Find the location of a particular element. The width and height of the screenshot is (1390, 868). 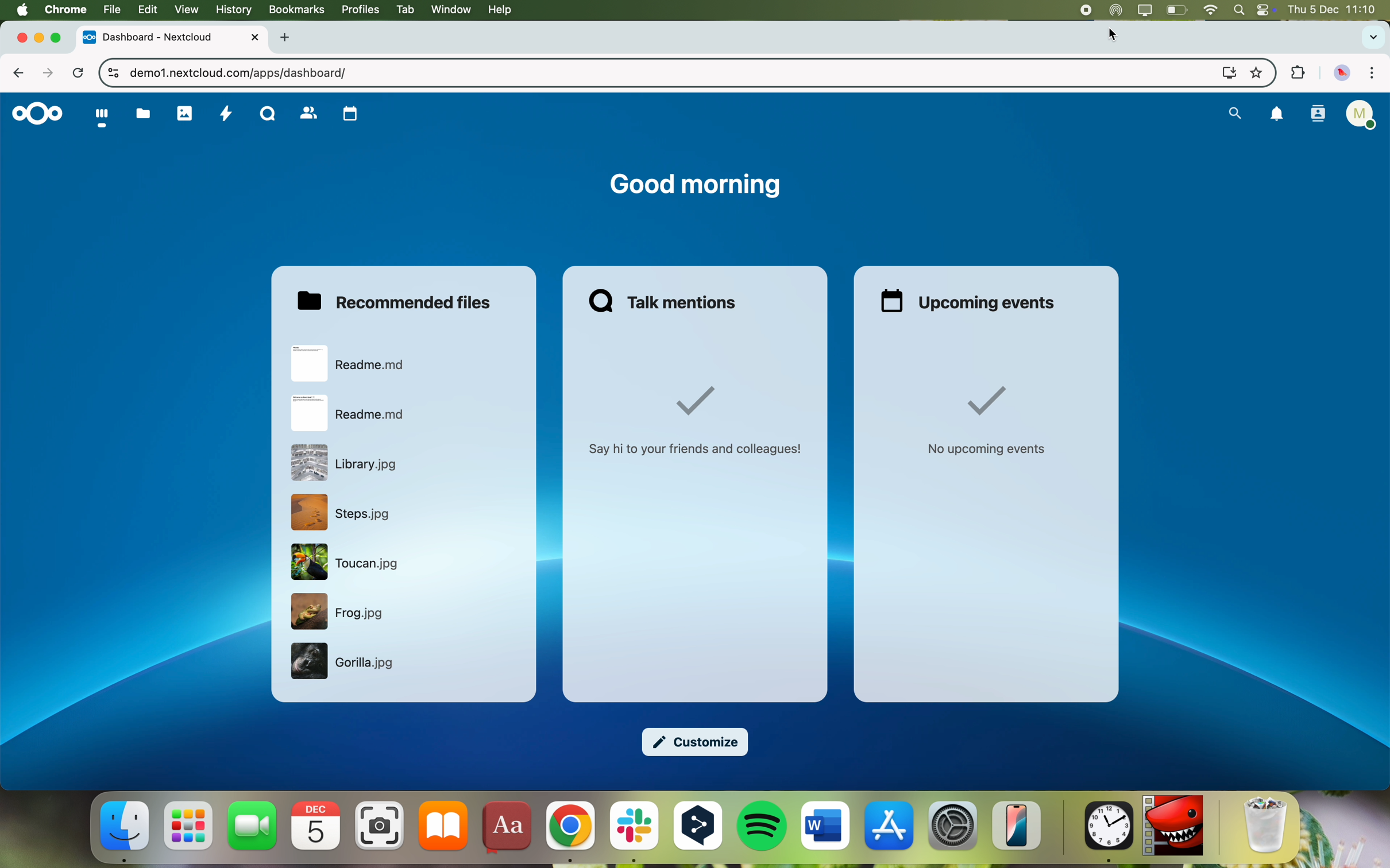

navigate foward is located at coordinates (49, 72).